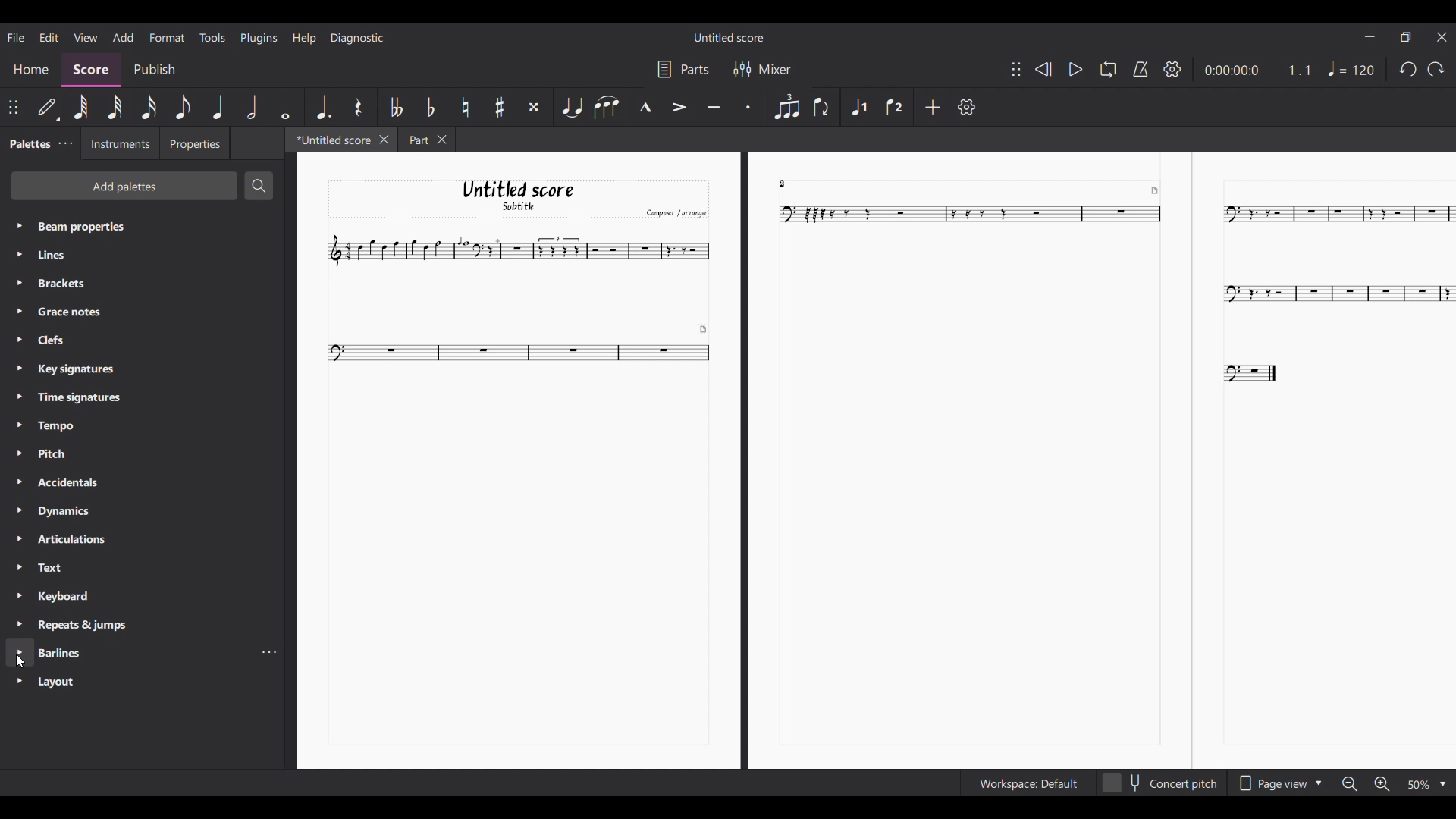 The height and width of the screenshot is (819, 1456). What do you see at coordinates (1160, 783) in the screenshot?
I see `Toggle concert pitch` at bounding box center [1160, 783].